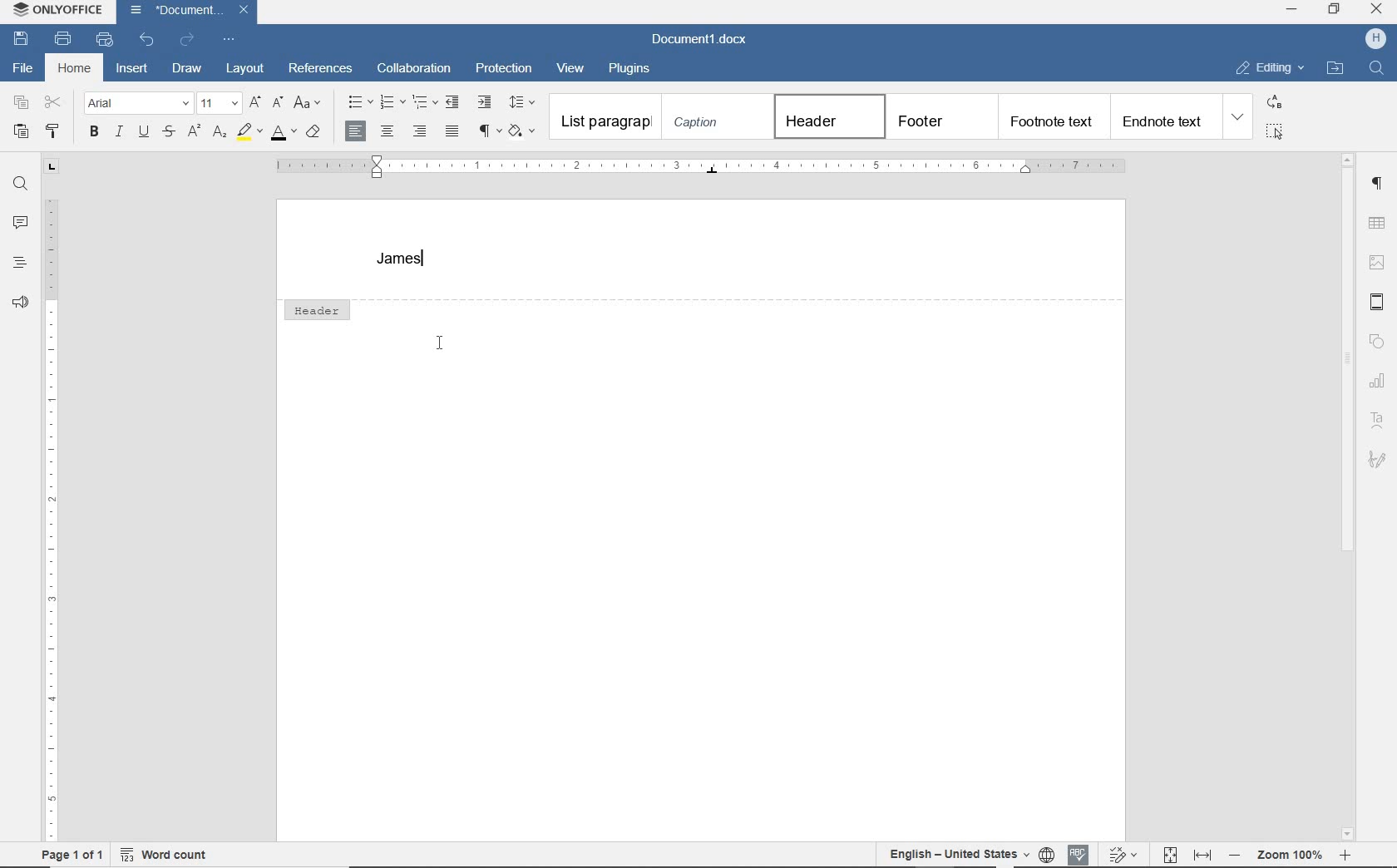 The image size is (1397, 868). I want to click on superscript, so click(192, 131).